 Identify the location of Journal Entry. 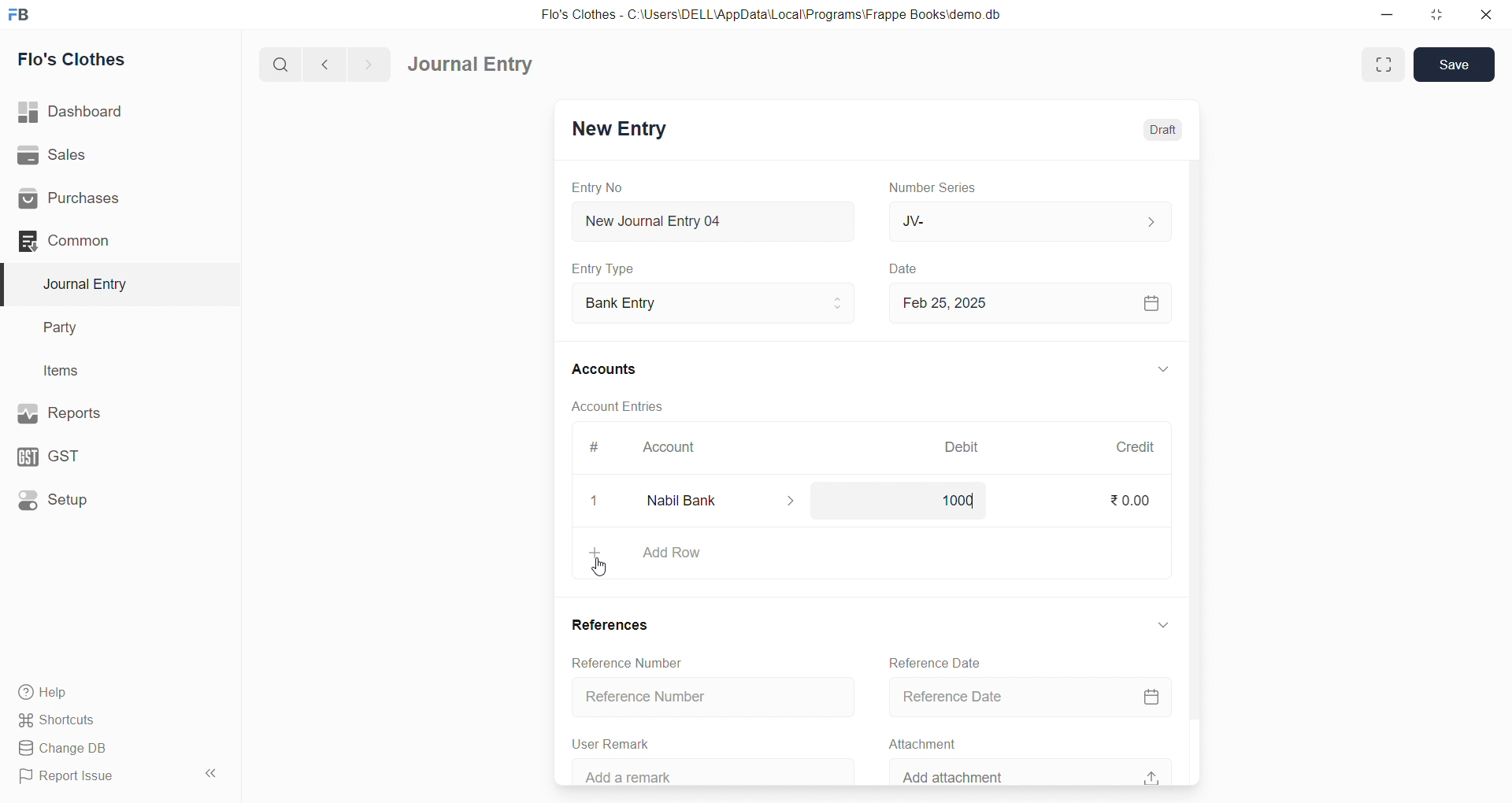
(112, 284).